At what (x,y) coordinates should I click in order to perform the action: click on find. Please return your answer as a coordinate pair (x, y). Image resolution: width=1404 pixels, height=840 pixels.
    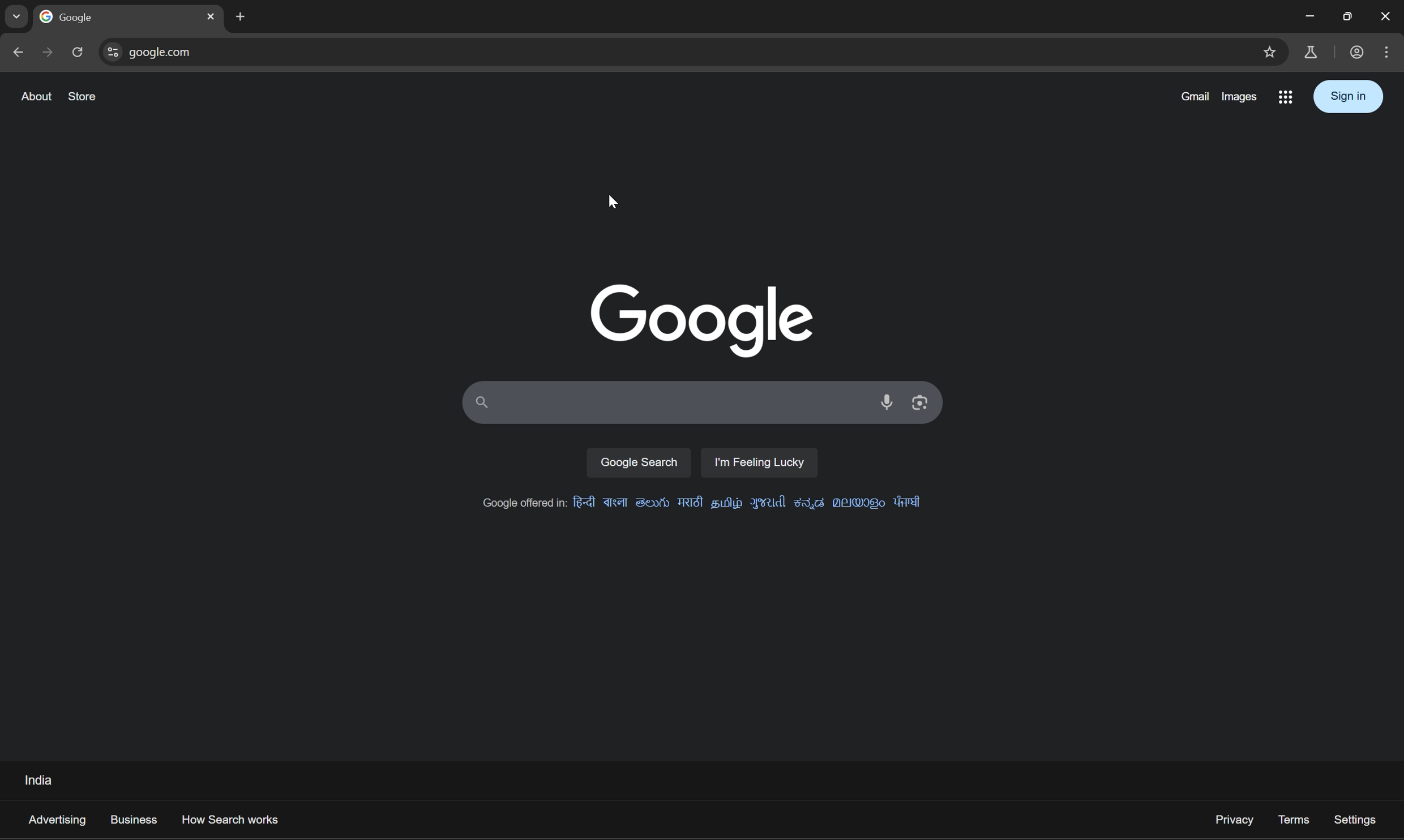
    Looking at the image, I should click on (112, 53).